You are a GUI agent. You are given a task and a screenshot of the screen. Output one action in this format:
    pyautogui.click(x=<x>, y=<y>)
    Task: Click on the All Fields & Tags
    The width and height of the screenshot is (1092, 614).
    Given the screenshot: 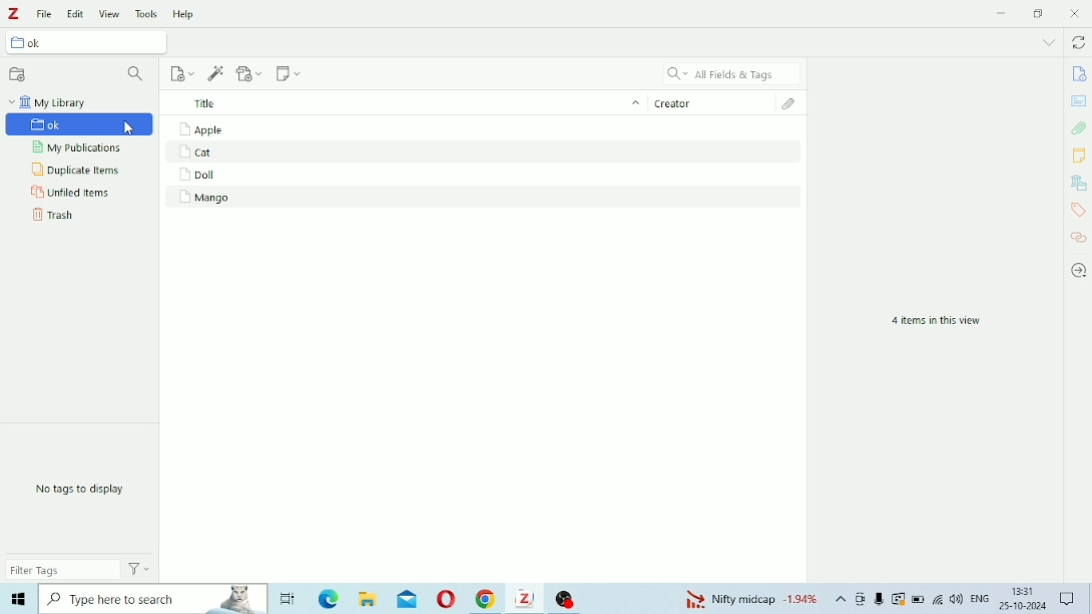 What is the action you would take?
    pyautogui.click(x=732, y=73)
    